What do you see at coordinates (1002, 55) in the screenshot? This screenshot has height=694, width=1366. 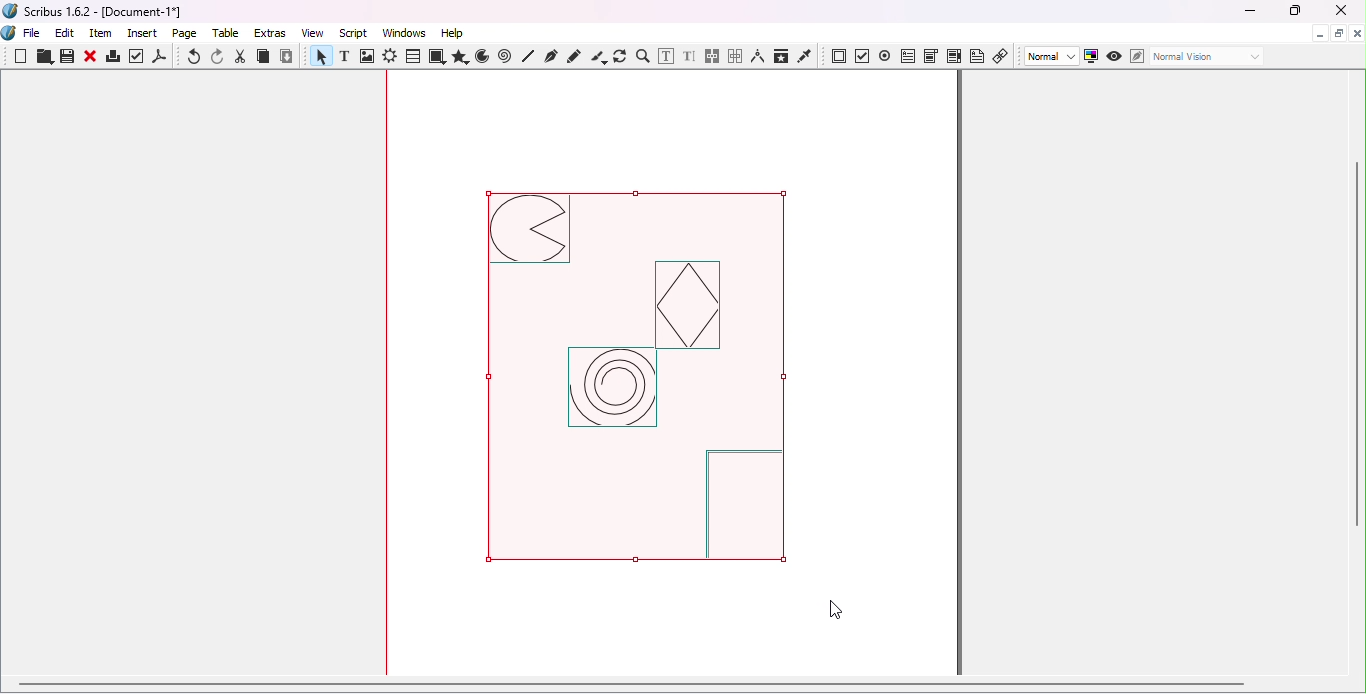 I see `Link annotation` at bounding box center [1002, 55].